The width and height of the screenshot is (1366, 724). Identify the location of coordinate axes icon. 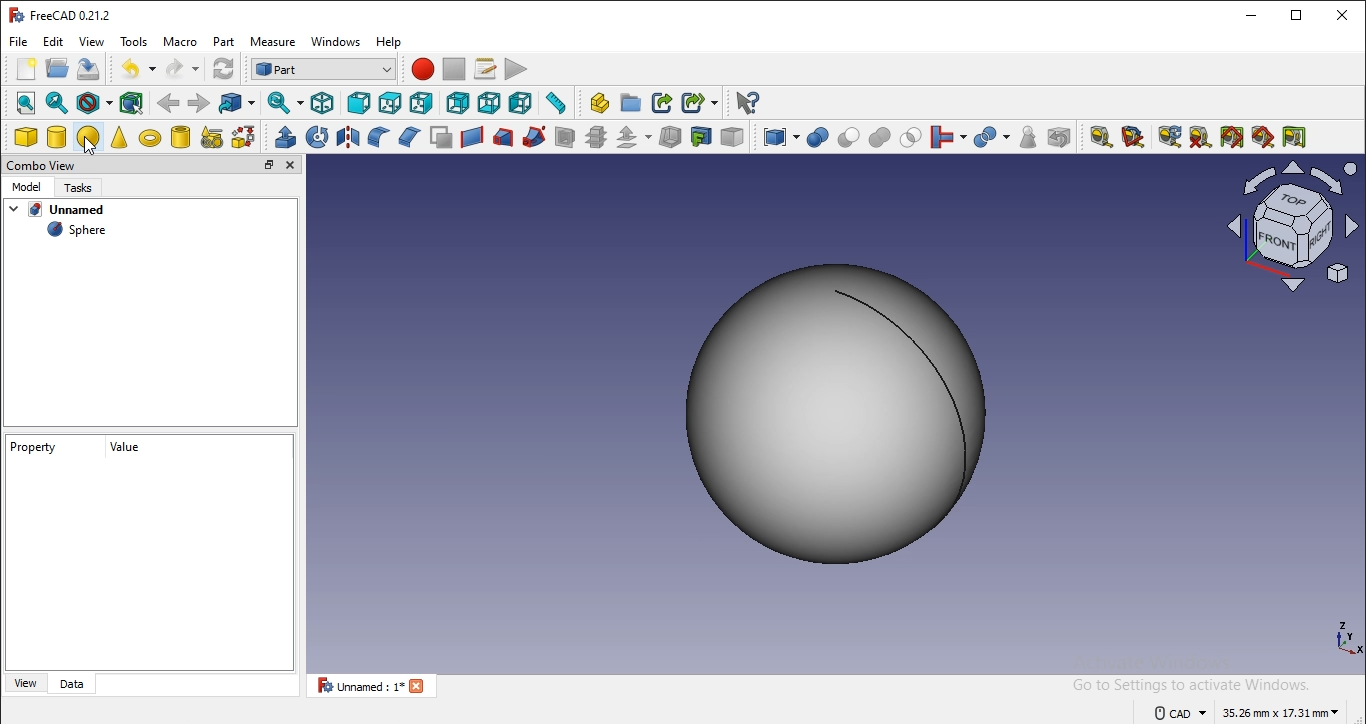
(1346, 641).